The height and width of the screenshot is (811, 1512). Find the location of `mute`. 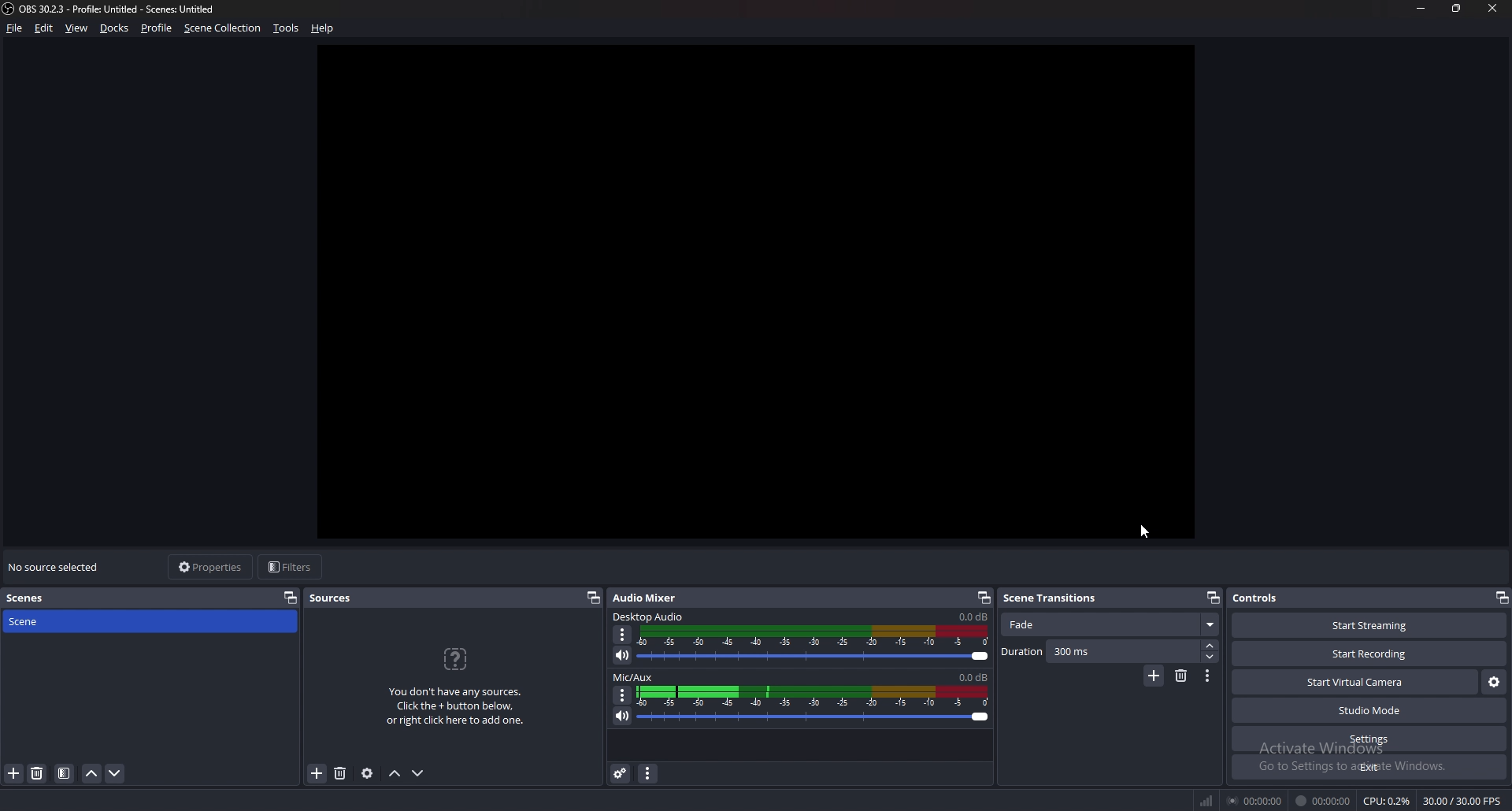

mute is located at coordinates (623, 655).